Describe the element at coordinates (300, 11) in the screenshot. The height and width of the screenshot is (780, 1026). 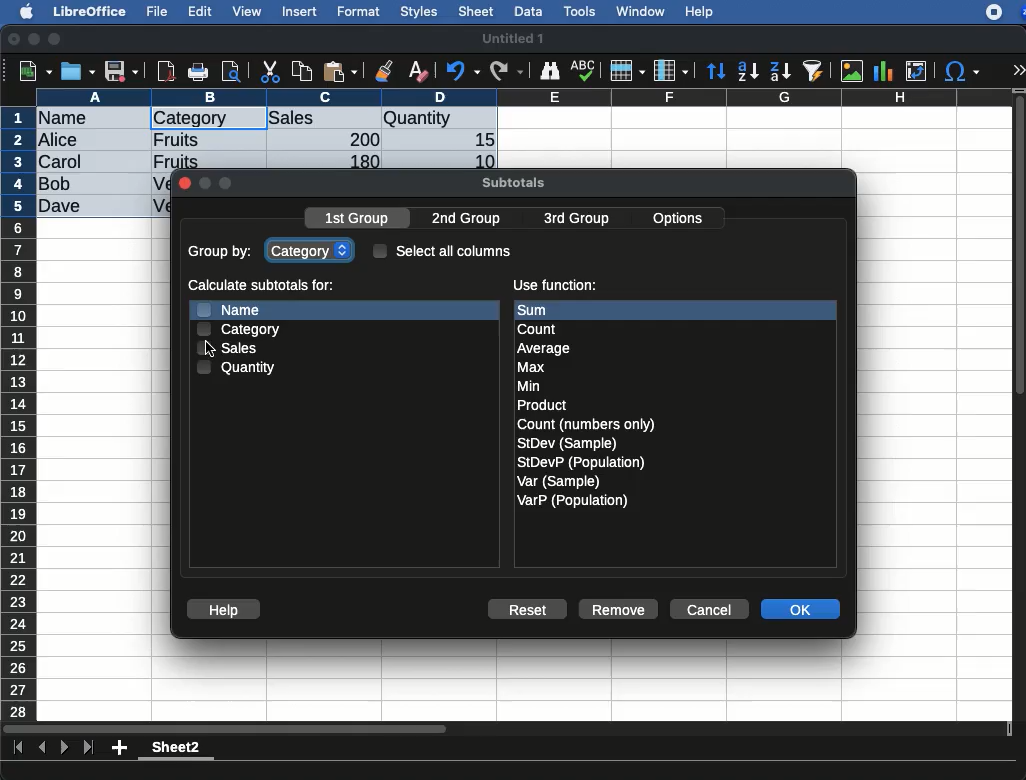
I see `insert` at that location.